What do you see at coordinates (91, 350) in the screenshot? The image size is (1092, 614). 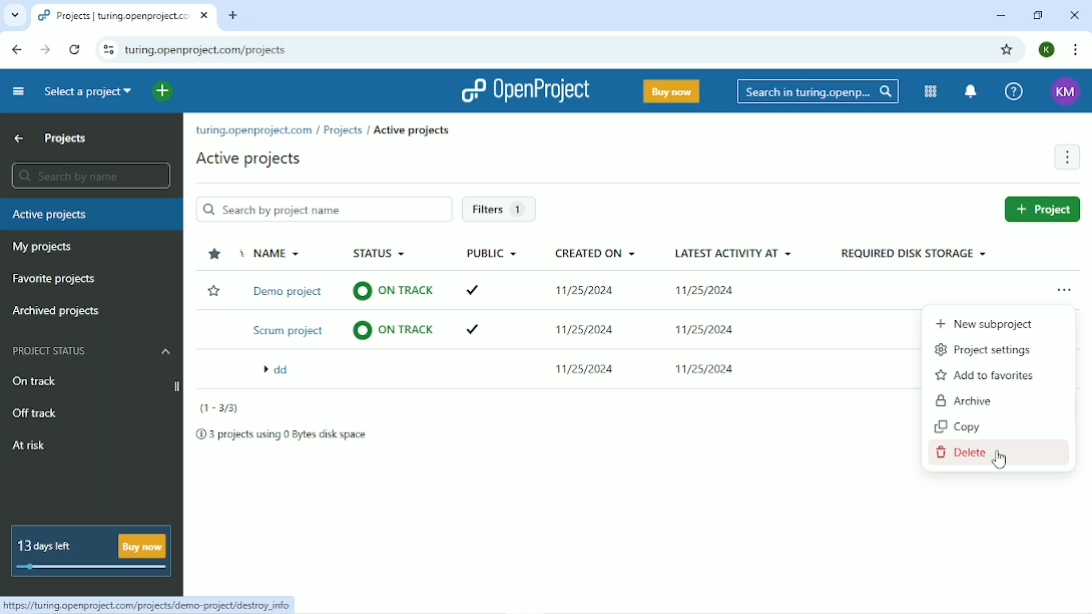 I see `Project status` at bounding box center [91, 350].